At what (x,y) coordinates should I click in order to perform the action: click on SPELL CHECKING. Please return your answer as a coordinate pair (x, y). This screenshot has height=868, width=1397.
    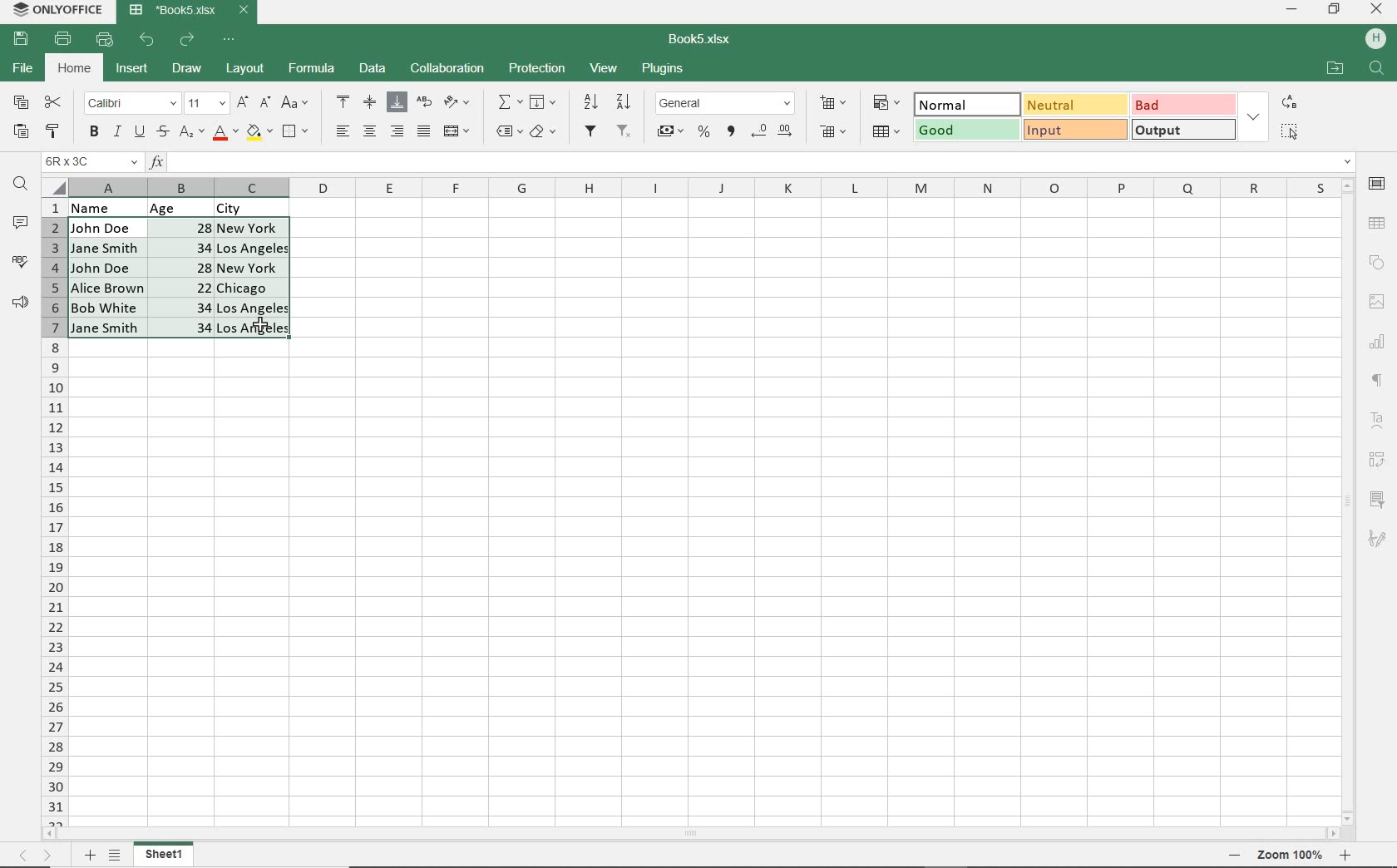
    Looking at the image, I should click on (20, 262).